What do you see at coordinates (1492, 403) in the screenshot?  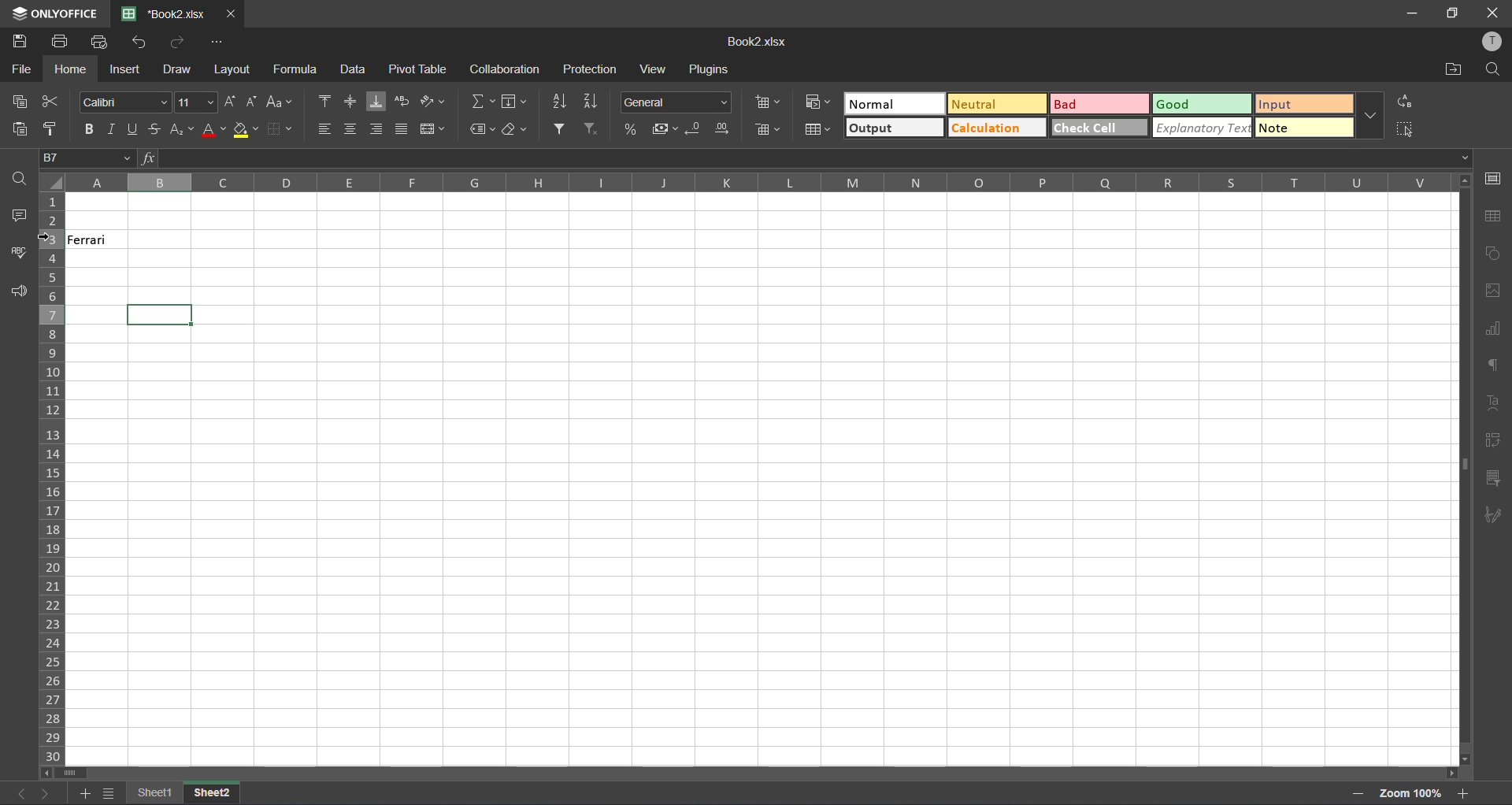 I see `text` at bounding box center [1492, 403].